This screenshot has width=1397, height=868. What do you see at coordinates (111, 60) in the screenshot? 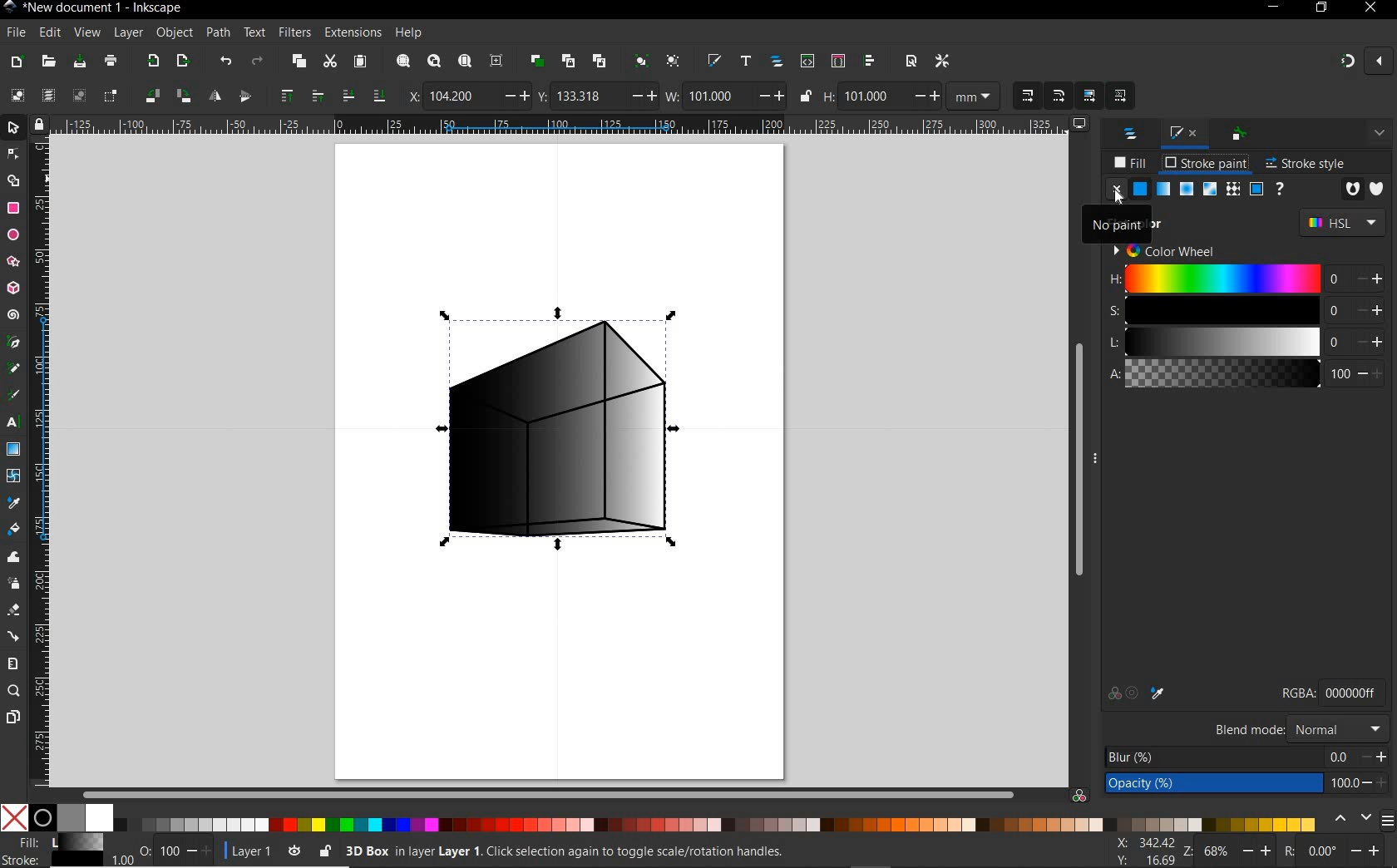
I see `PRINT` at bounding box center [111, 60].